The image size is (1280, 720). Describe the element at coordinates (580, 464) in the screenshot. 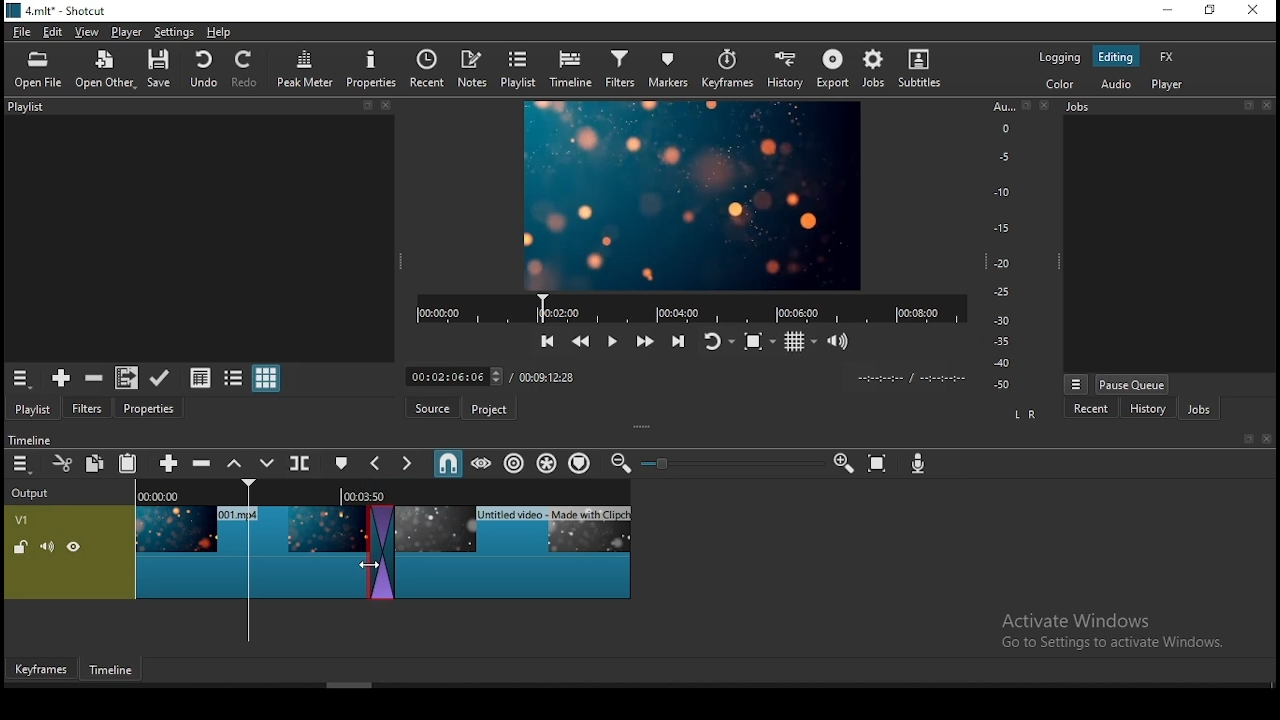

I see `ripple markers` at that location.